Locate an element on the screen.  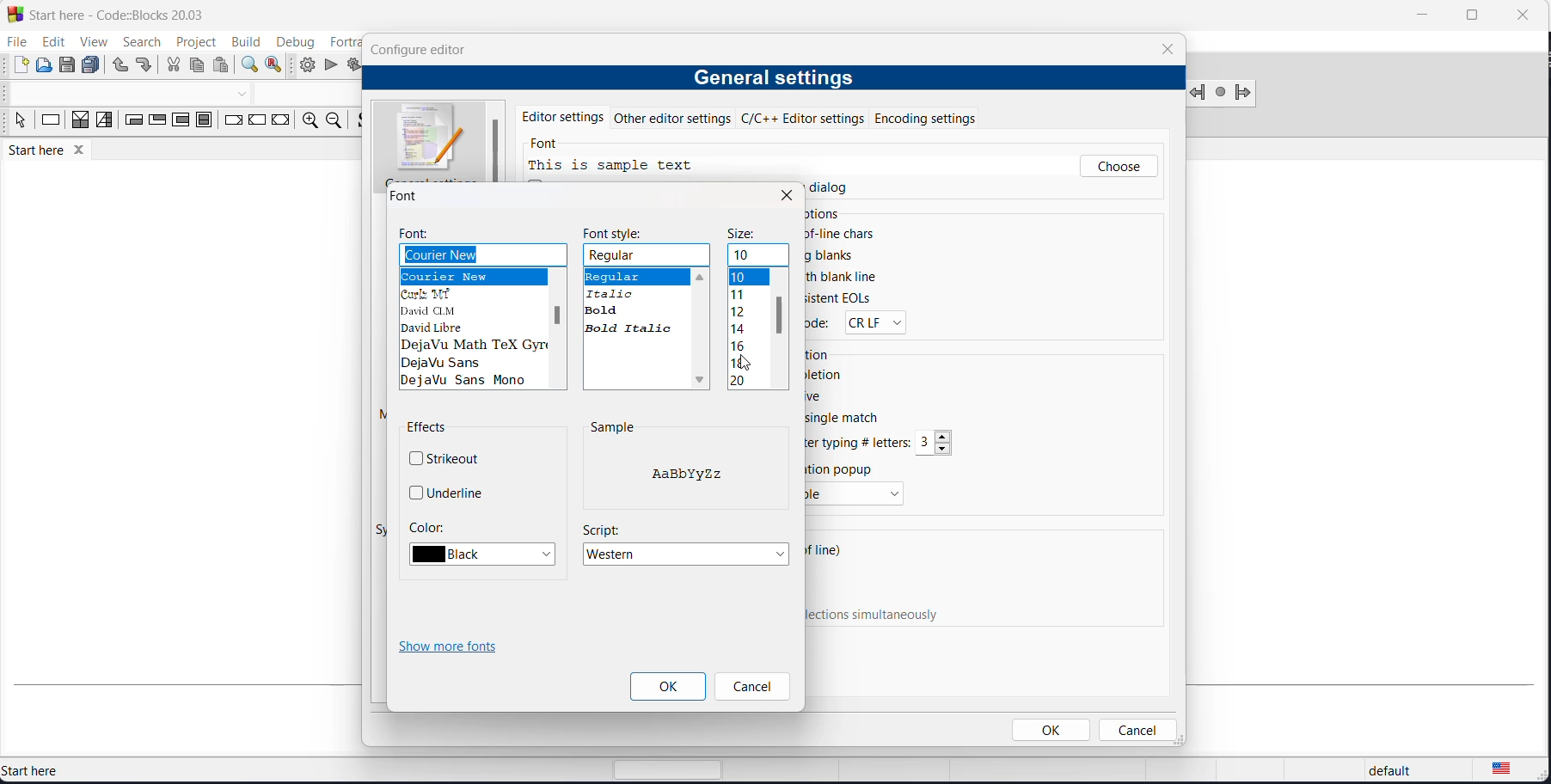
enable typing  is located at coordinates (882, 616).